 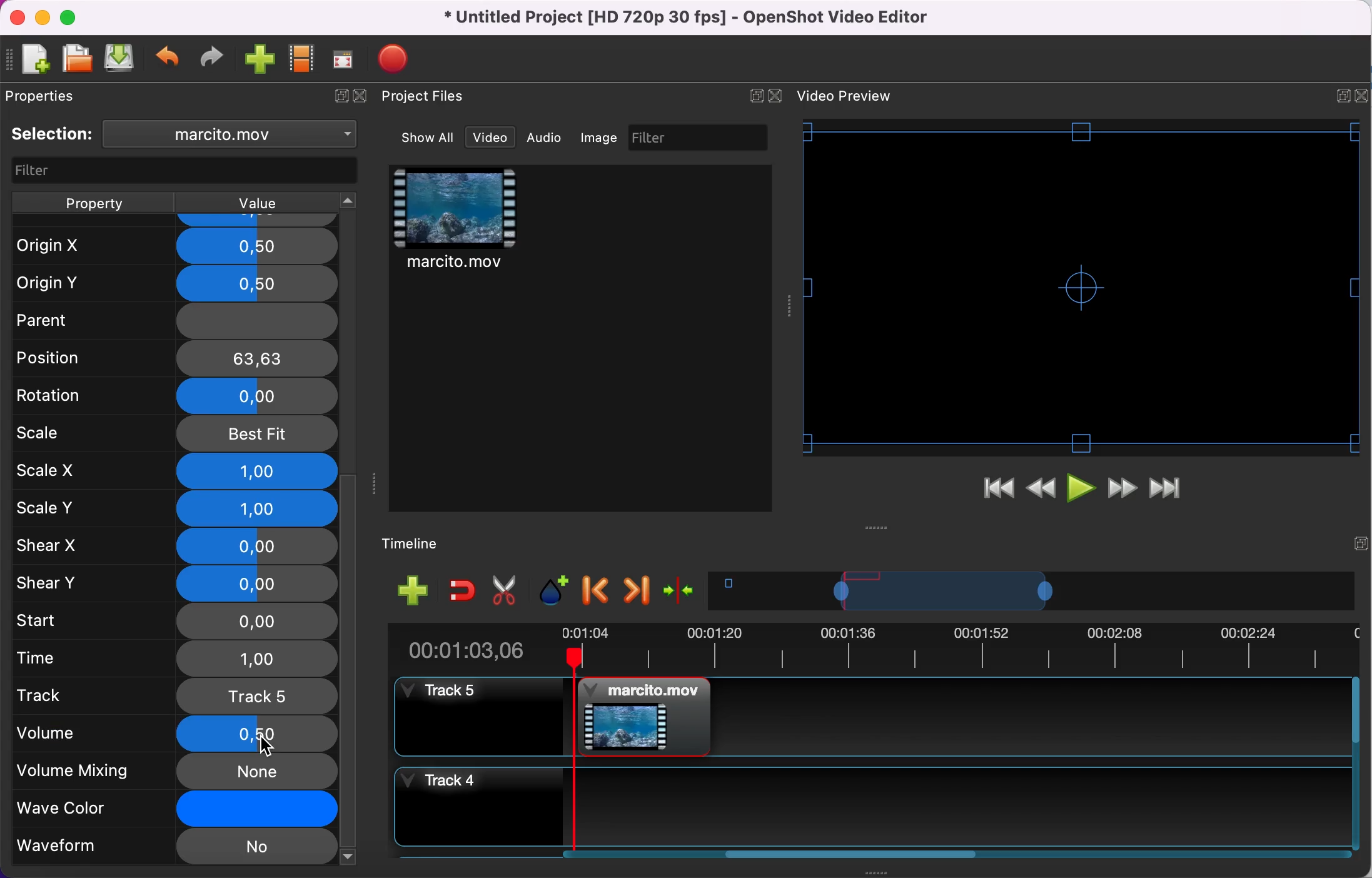 I want to click on vertical scroll bar, so click(x=350, y=669).